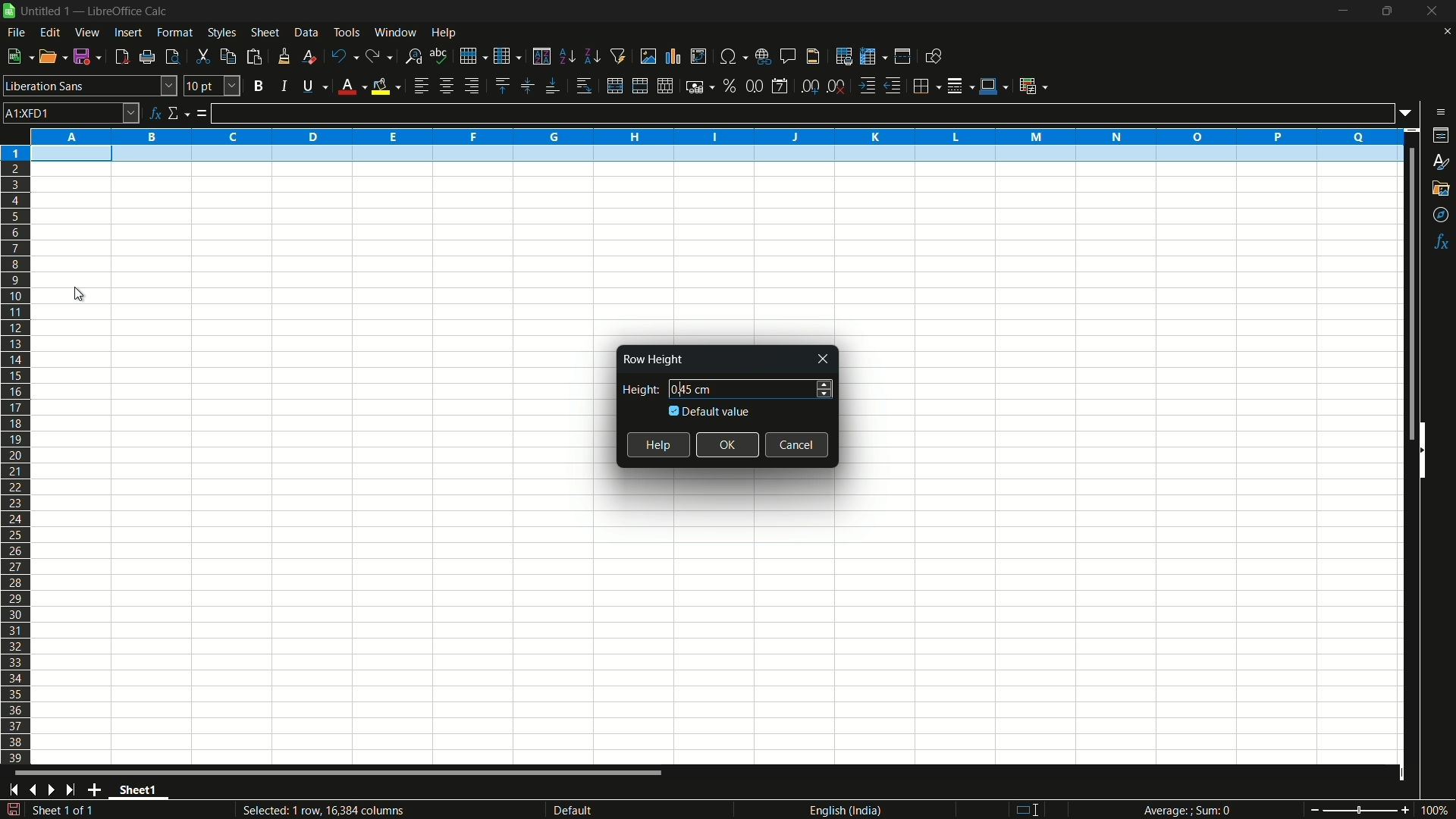 The height and width of the screenshot is (819, 1456). What do you see at coordinates (501, 86) in the screenshot?
I see `align top` at bounding box center [501, 86].